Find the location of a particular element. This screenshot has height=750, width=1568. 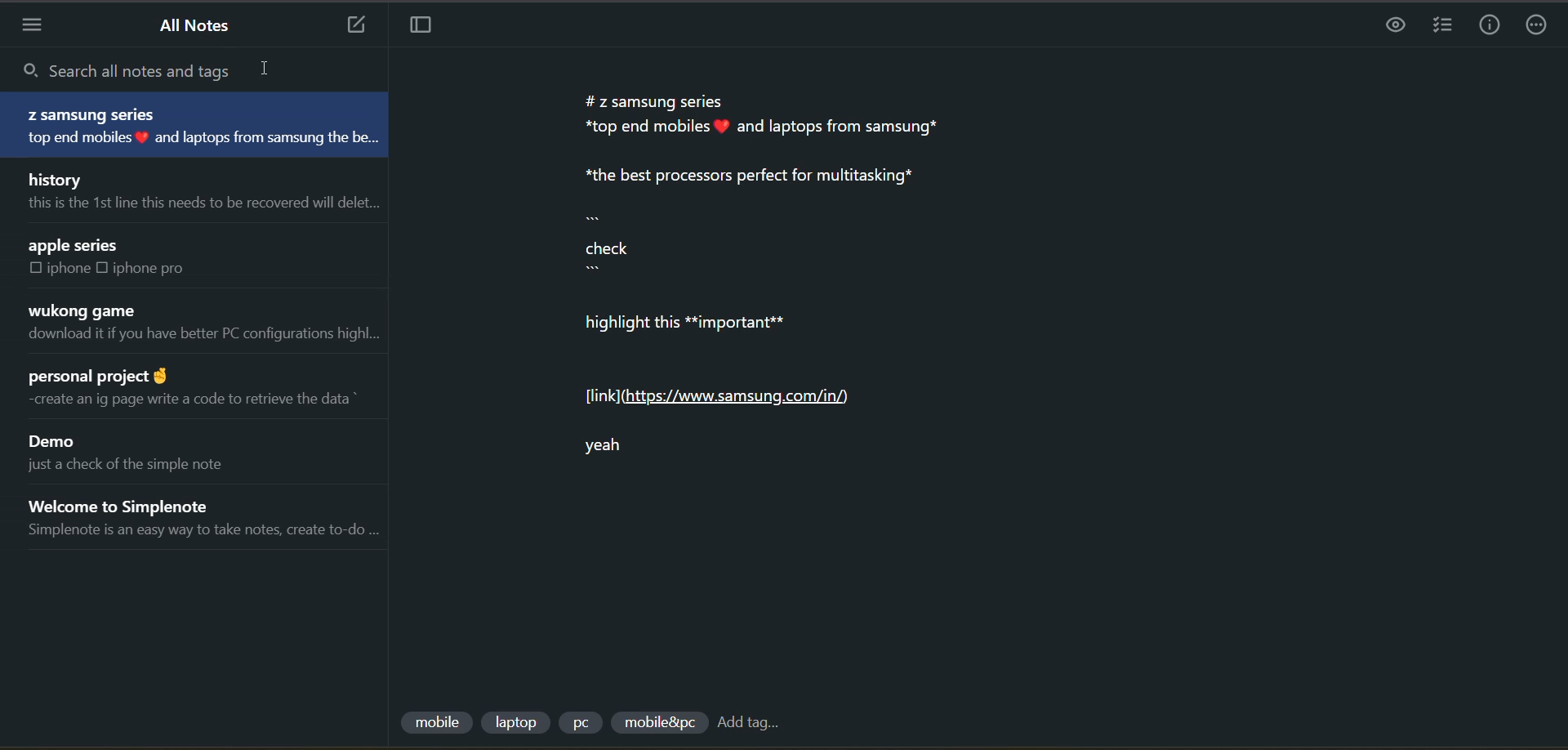

[link] (https://www.samsung.com/in/ is located at coordinates (722, 398).